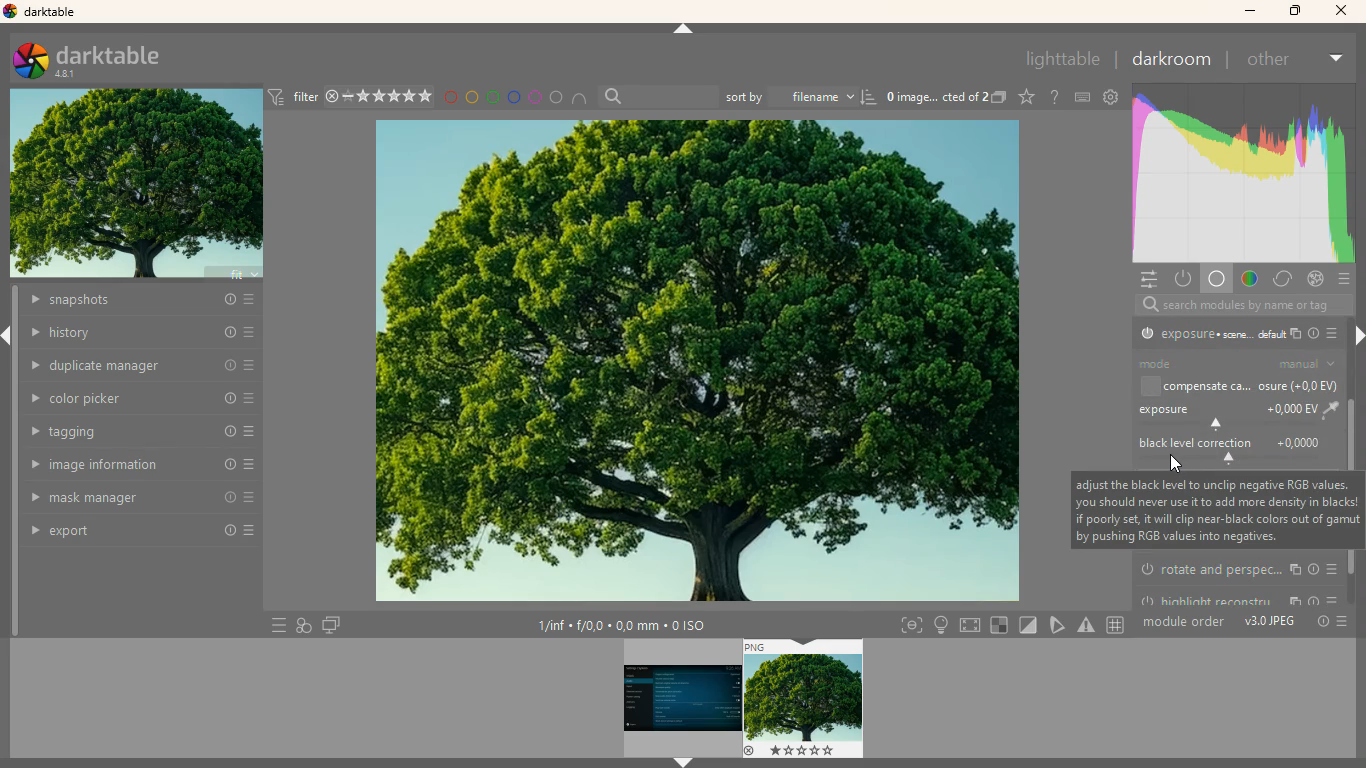 The image size is (1366, 768). Describe the element at coordinates (1242, 172) in the screenshot. I see `color` at that location.